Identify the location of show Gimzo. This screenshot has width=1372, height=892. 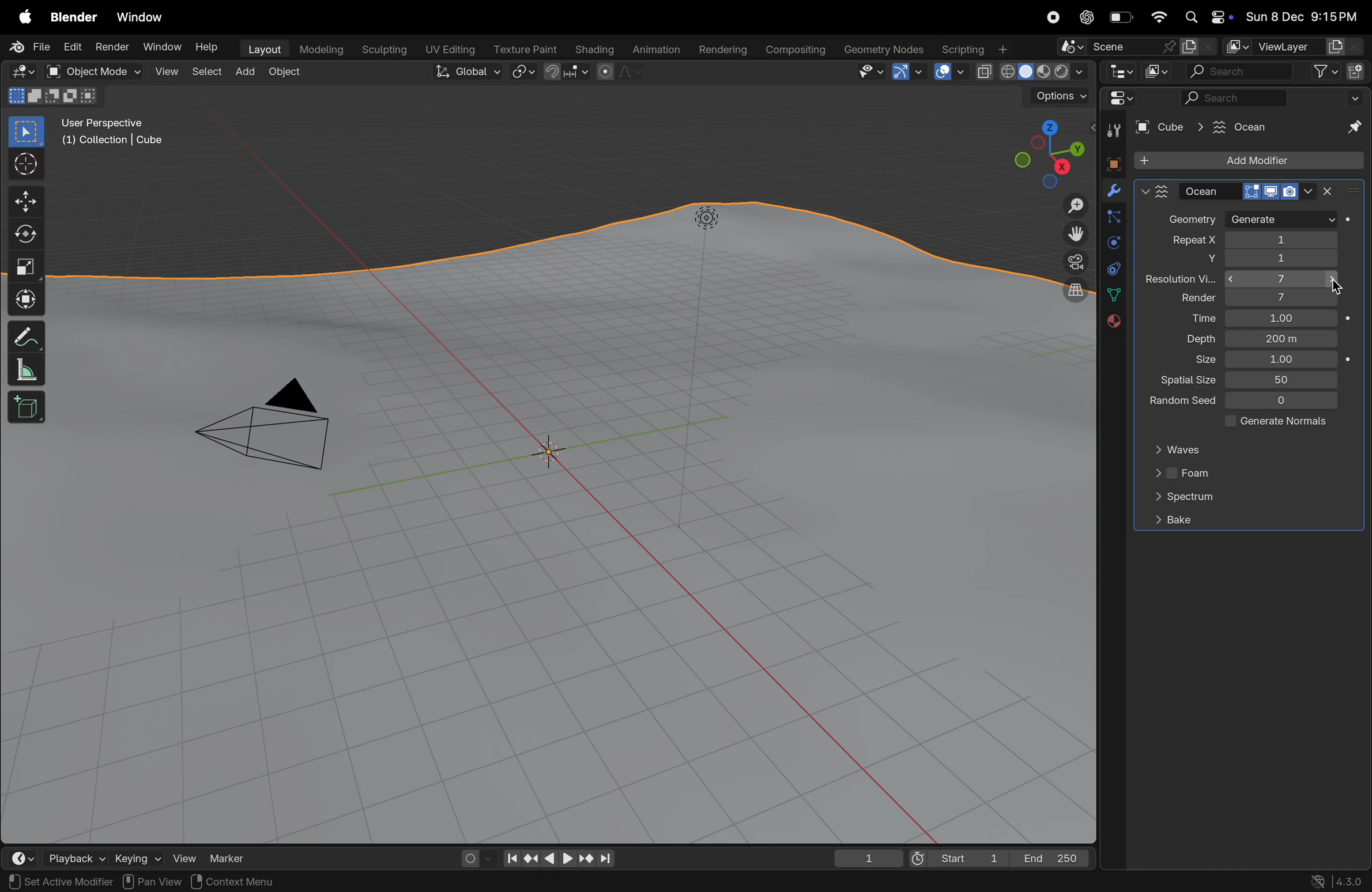
(906, 73).